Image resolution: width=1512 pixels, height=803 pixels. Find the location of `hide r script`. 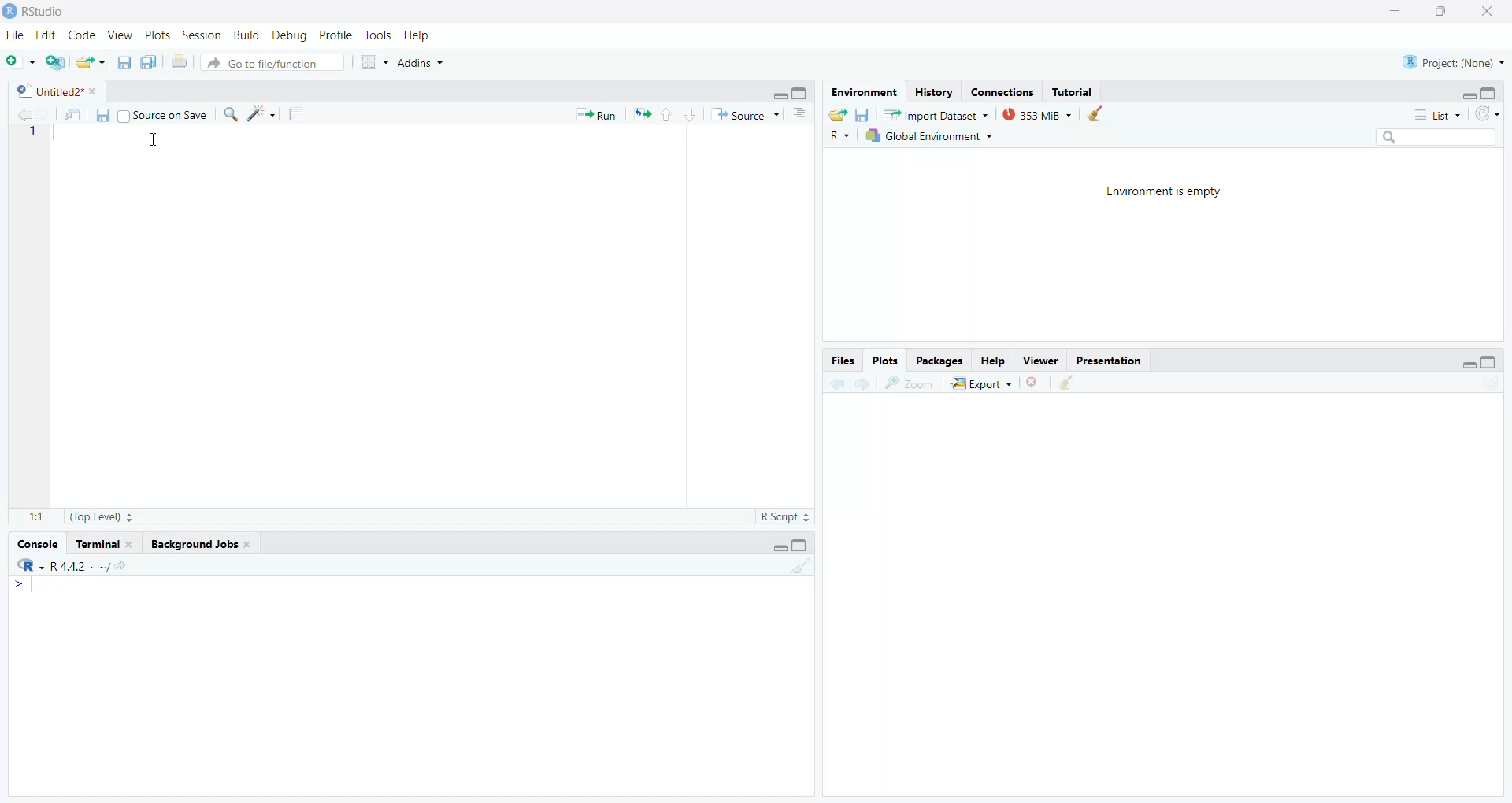

hide r script is located at coordinates (773, 548).